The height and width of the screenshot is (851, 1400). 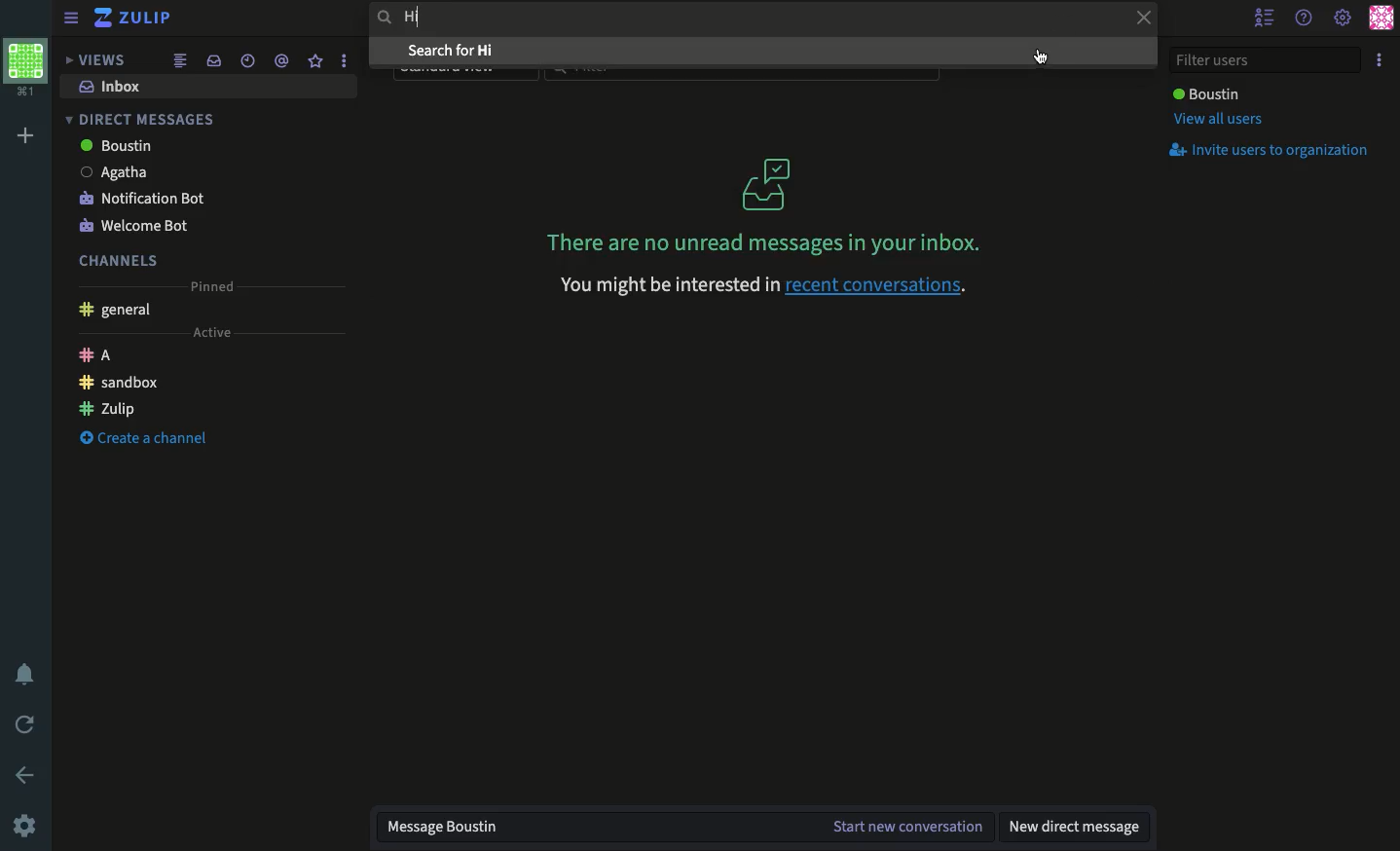 What do you see at coordinates (1042, 58) in the screenshot?
I see `cursor` at bounding box center [1042, 58].